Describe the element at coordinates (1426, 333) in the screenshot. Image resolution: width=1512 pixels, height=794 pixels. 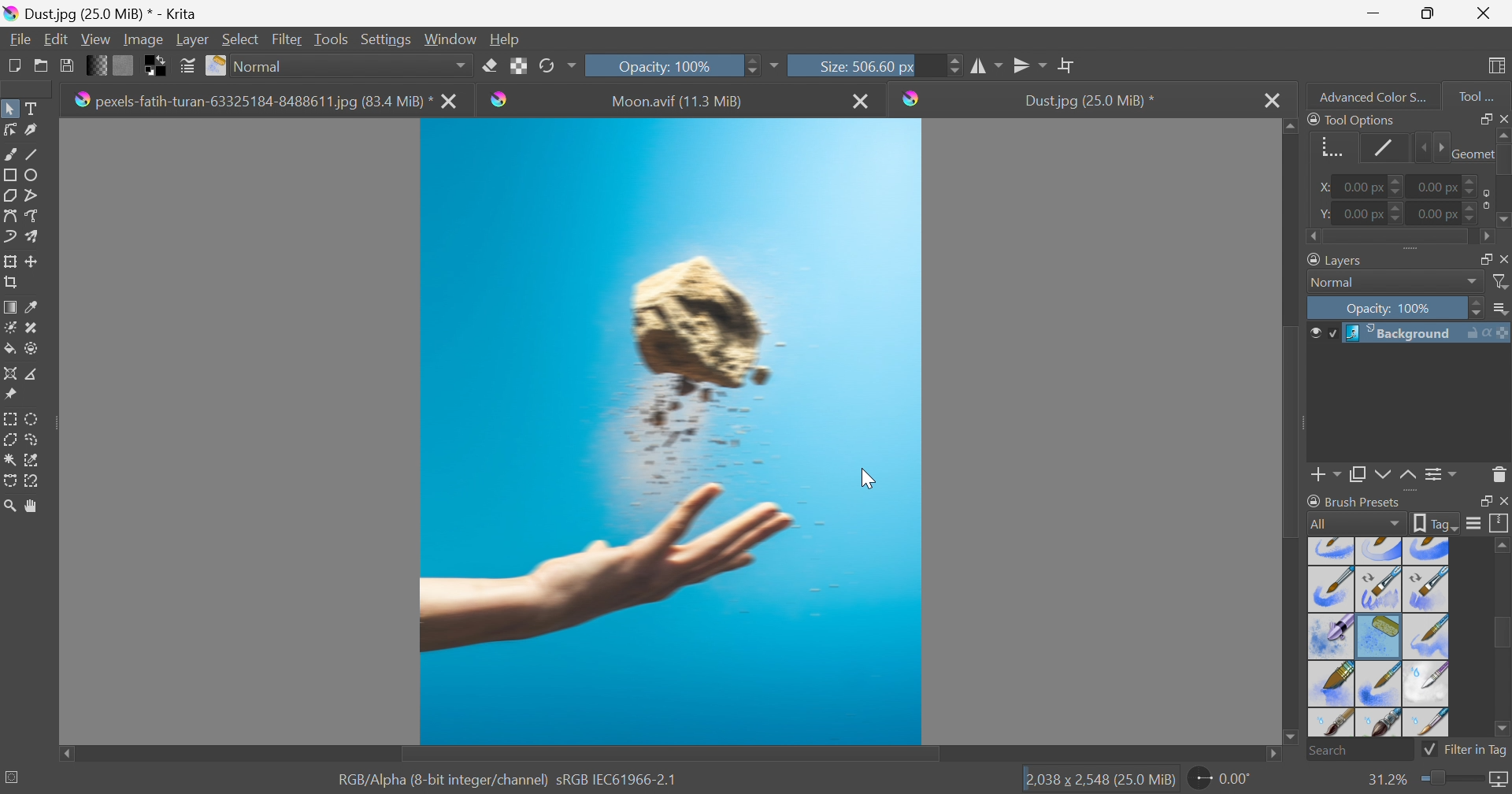
I see `Background Layer` at that location.